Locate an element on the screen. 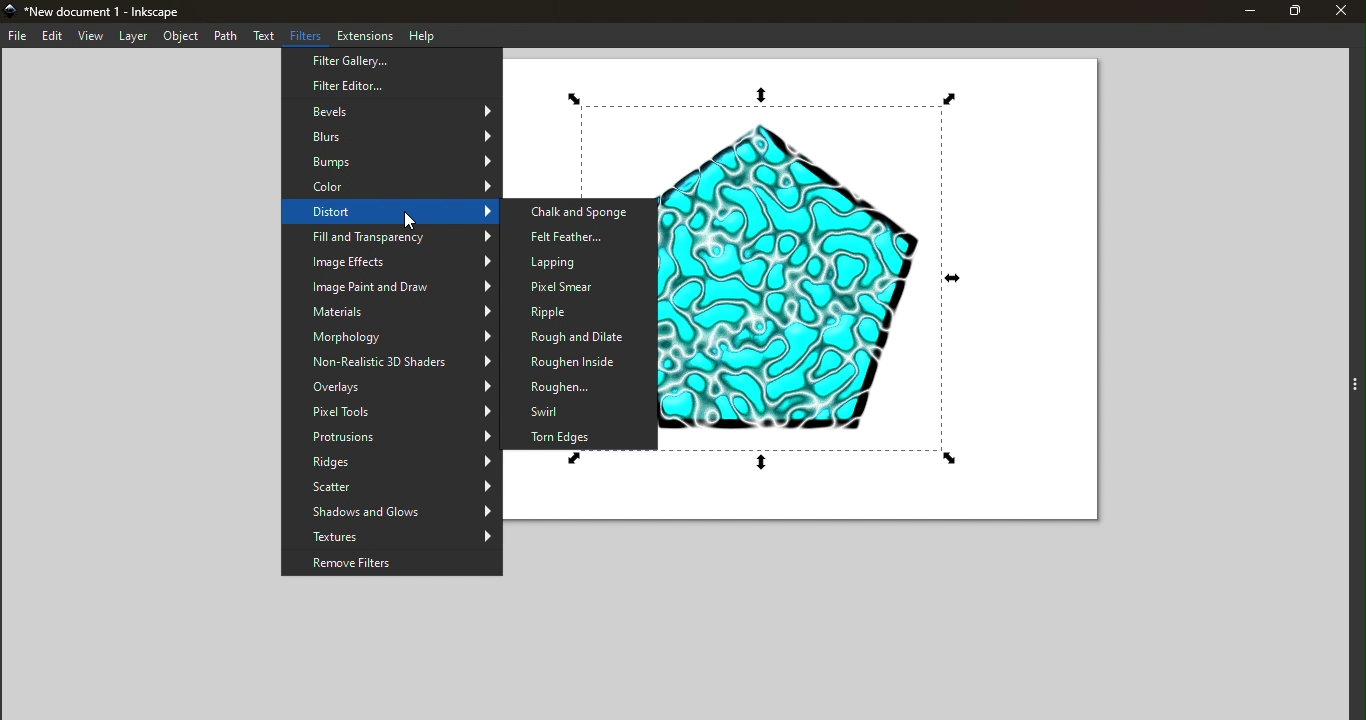  Lapping is located at coordinates (581, 263).